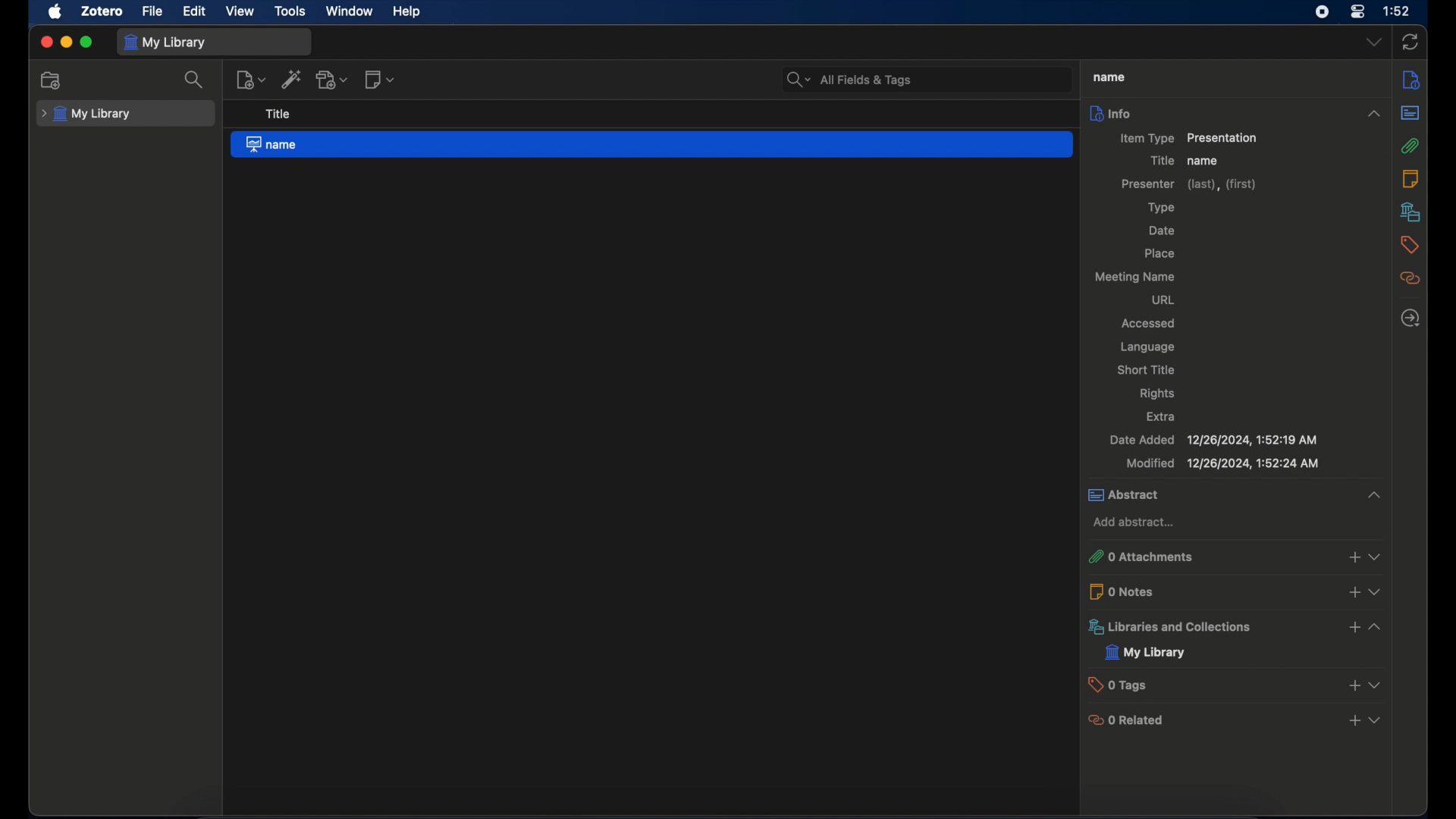  I want to click on tags, so click(1410, 245).